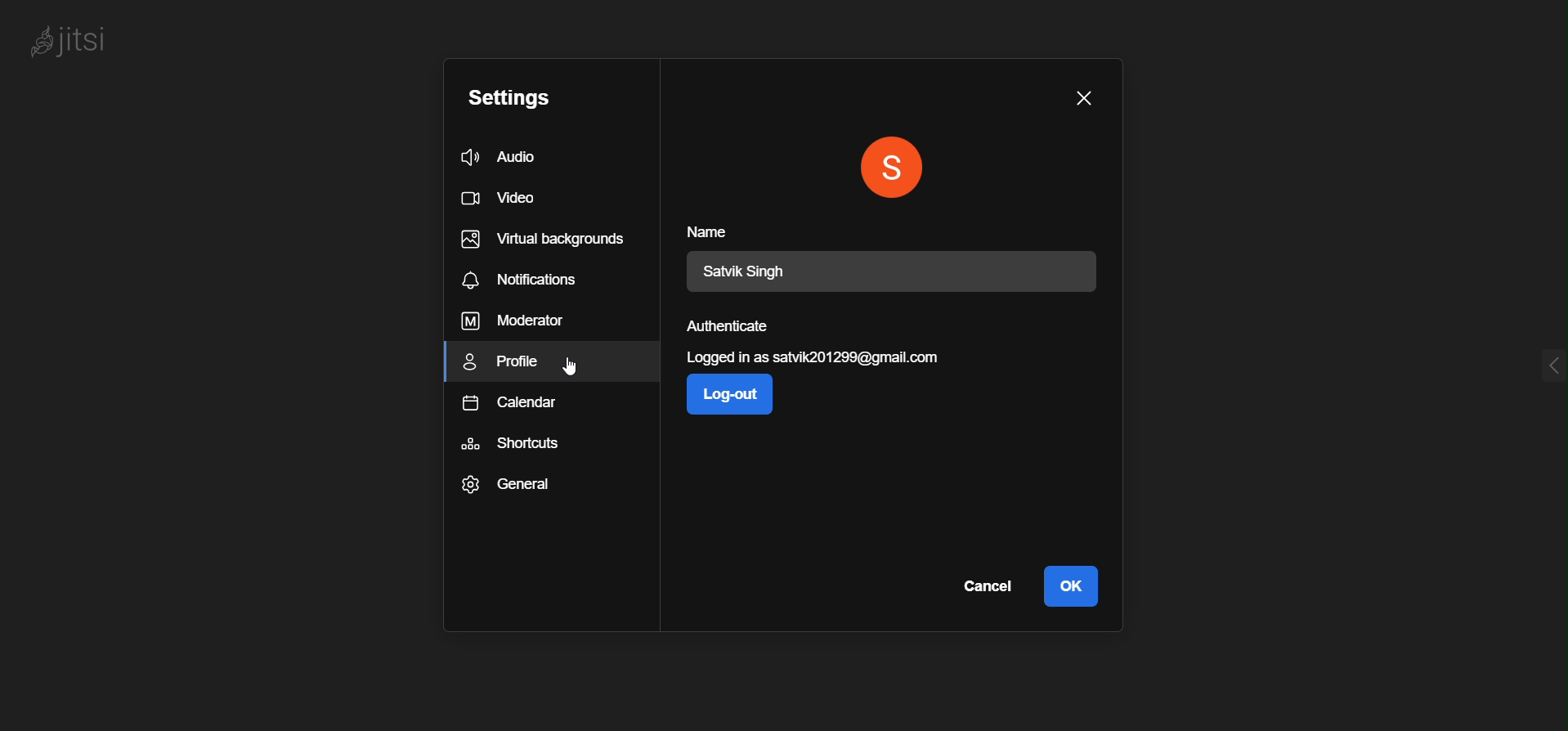 The height and width of the screenshot is (731, 1568). Describe the element at coordinates (818, 359) in the screenshot. I see `login email` at that location.